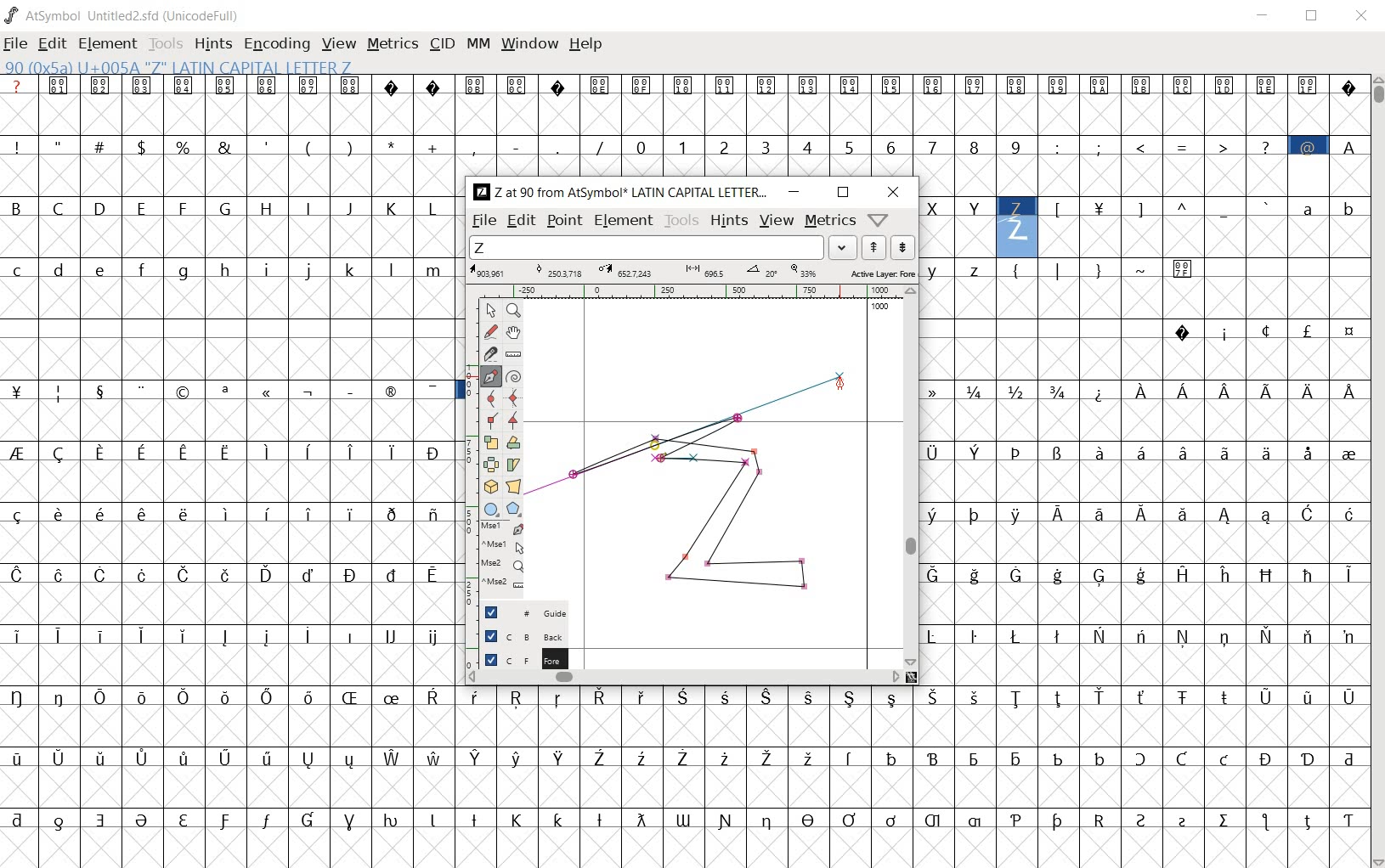 This screenshot has width=1385, height=868. Describe the element at coordinates (685, 679) in the screenshot. I see `scrollbar` at that location.